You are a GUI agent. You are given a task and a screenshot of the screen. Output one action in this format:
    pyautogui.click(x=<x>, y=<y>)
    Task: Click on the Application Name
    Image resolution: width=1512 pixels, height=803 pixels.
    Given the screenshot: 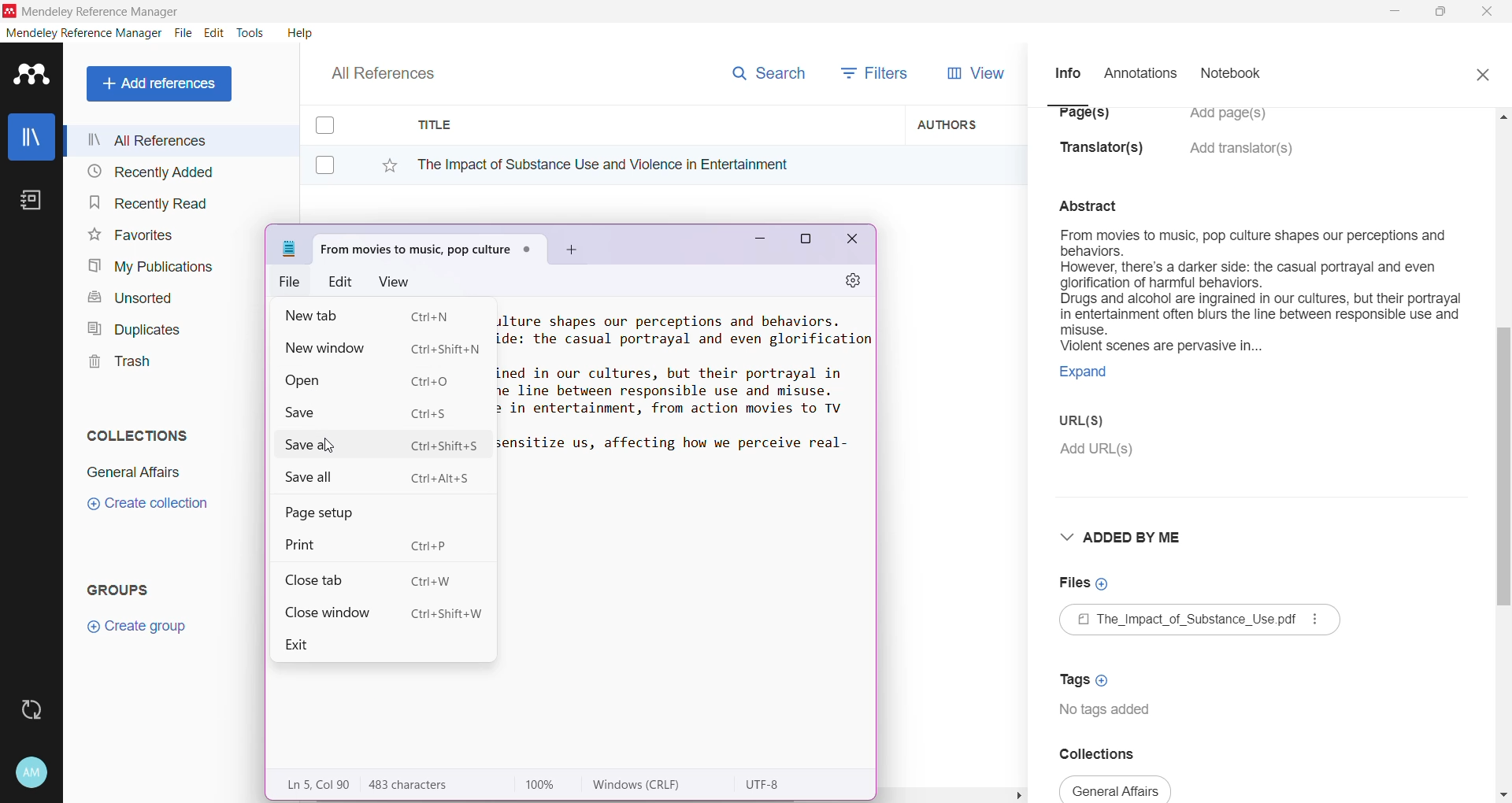 What is the action you would take?
    pyautogui.click(x=94, y=11)
    